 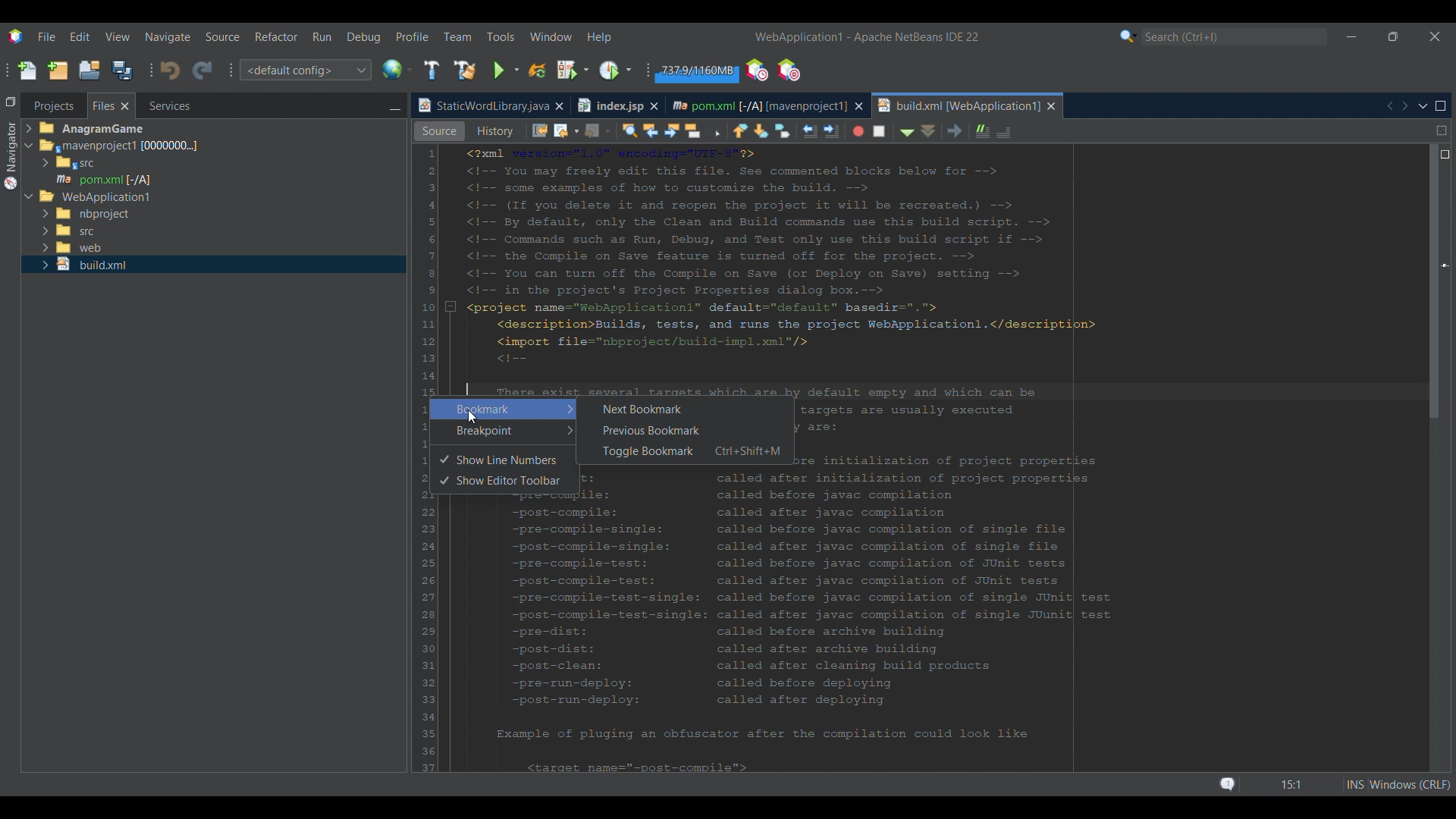 I want to click on Back options, so click(x=699, y=130).